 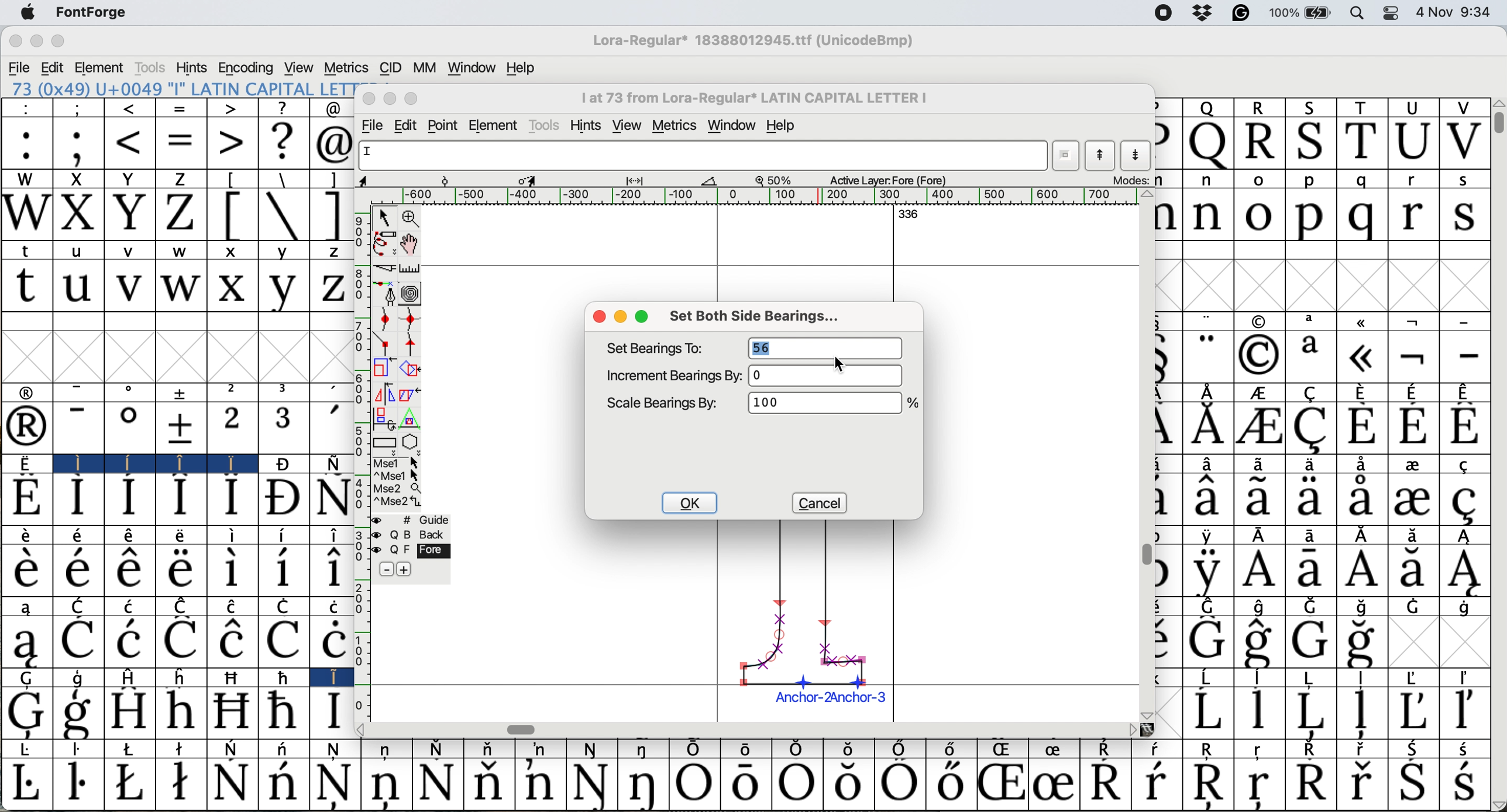 What do you see at coordinates (130, 393) in the screenshot?
I see `o` at bounding box center [130, 393].